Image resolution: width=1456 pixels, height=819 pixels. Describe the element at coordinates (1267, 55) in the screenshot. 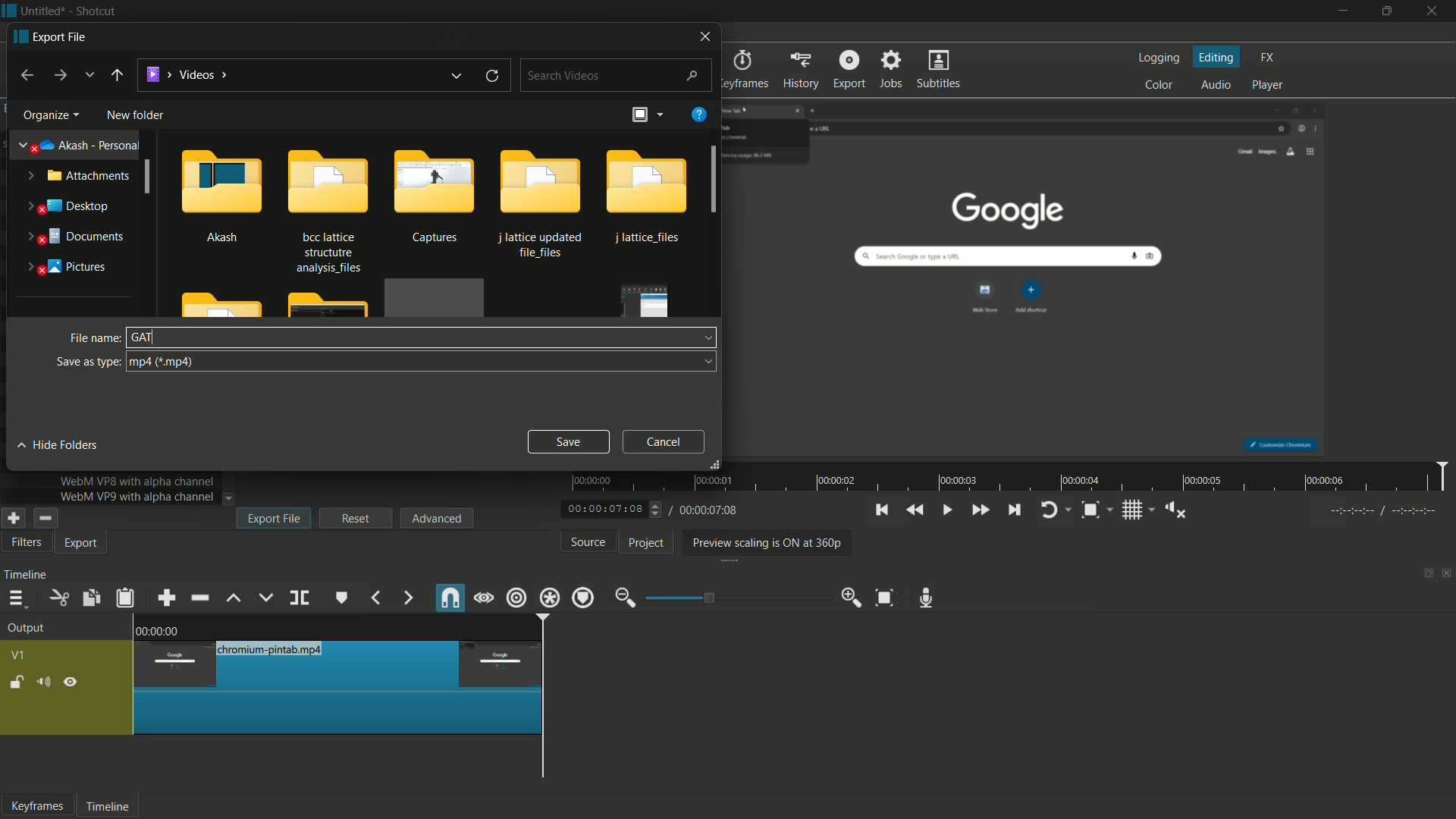

I see `` at that location.